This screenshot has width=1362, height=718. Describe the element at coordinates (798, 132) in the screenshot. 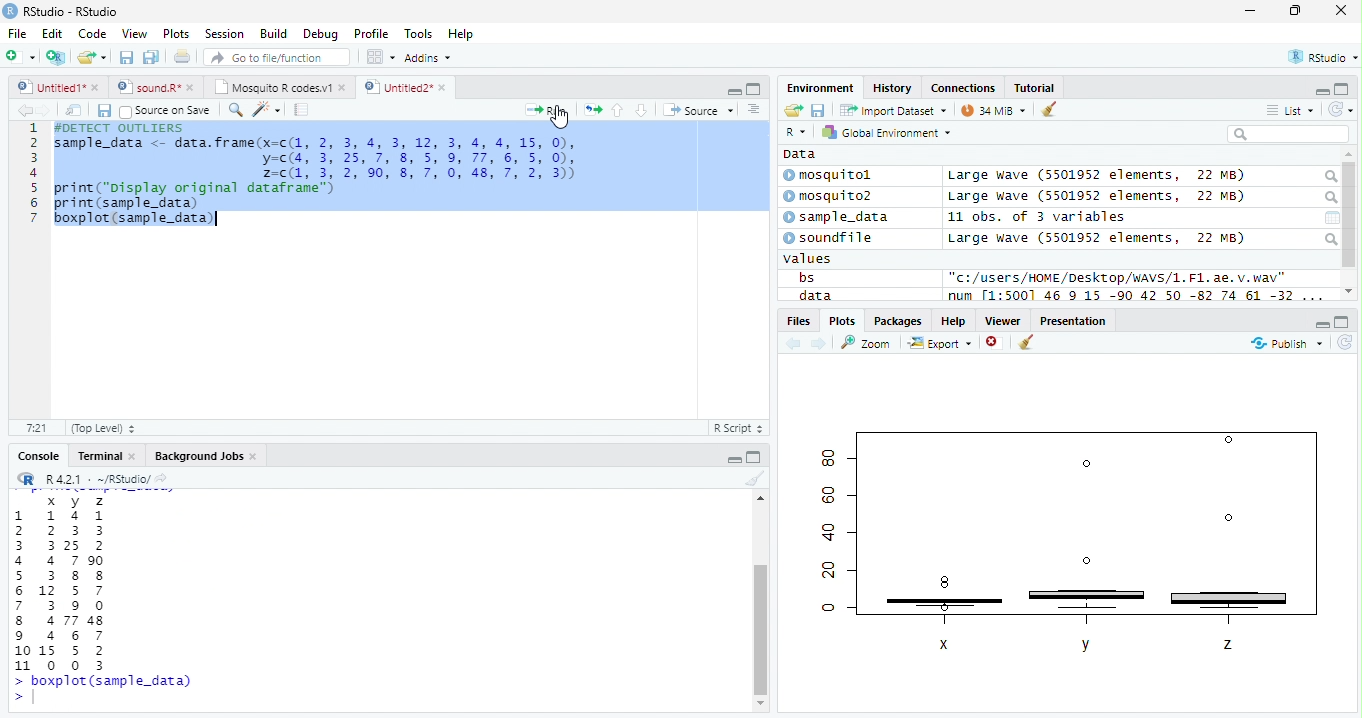

I see `R` at that location.